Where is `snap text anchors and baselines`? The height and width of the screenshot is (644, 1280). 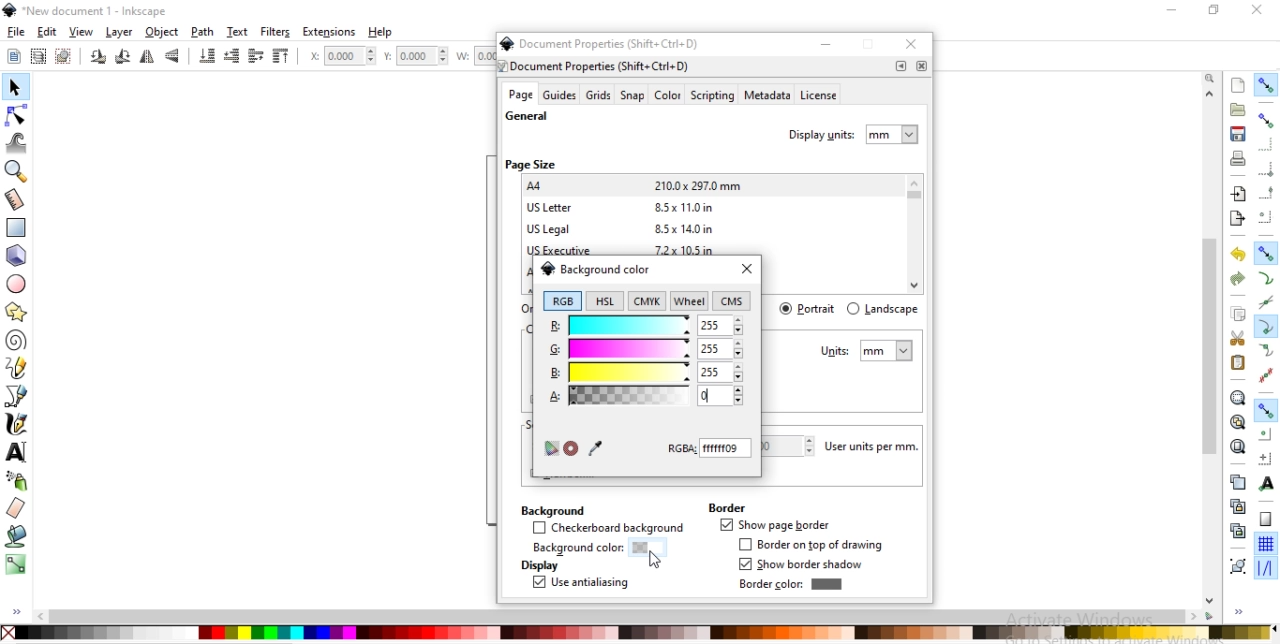
snap text anchors and baselines is located at coordinates (1264, 483).